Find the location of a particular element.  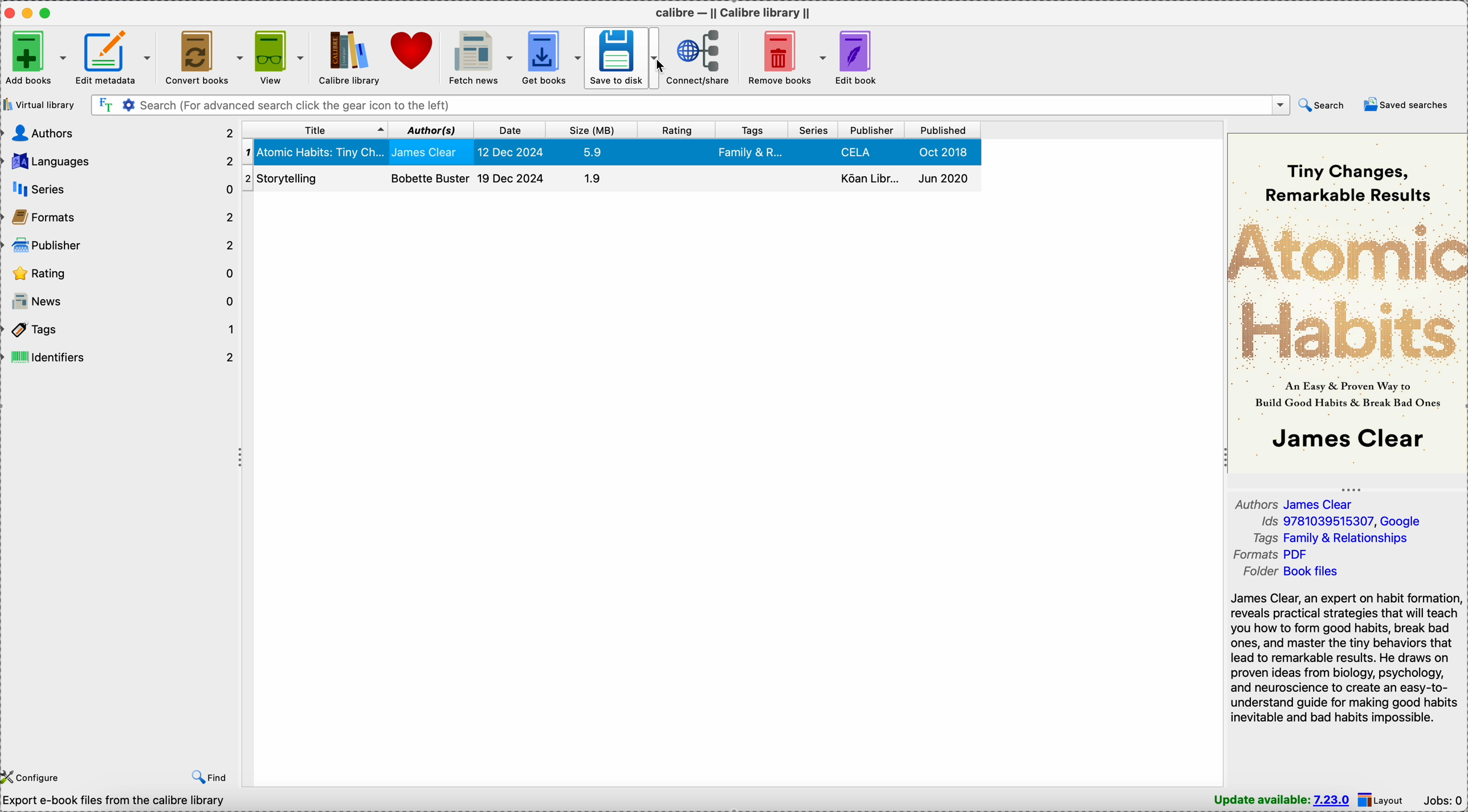

update available: 7.23.0 is located at coordinates (1283, 801).